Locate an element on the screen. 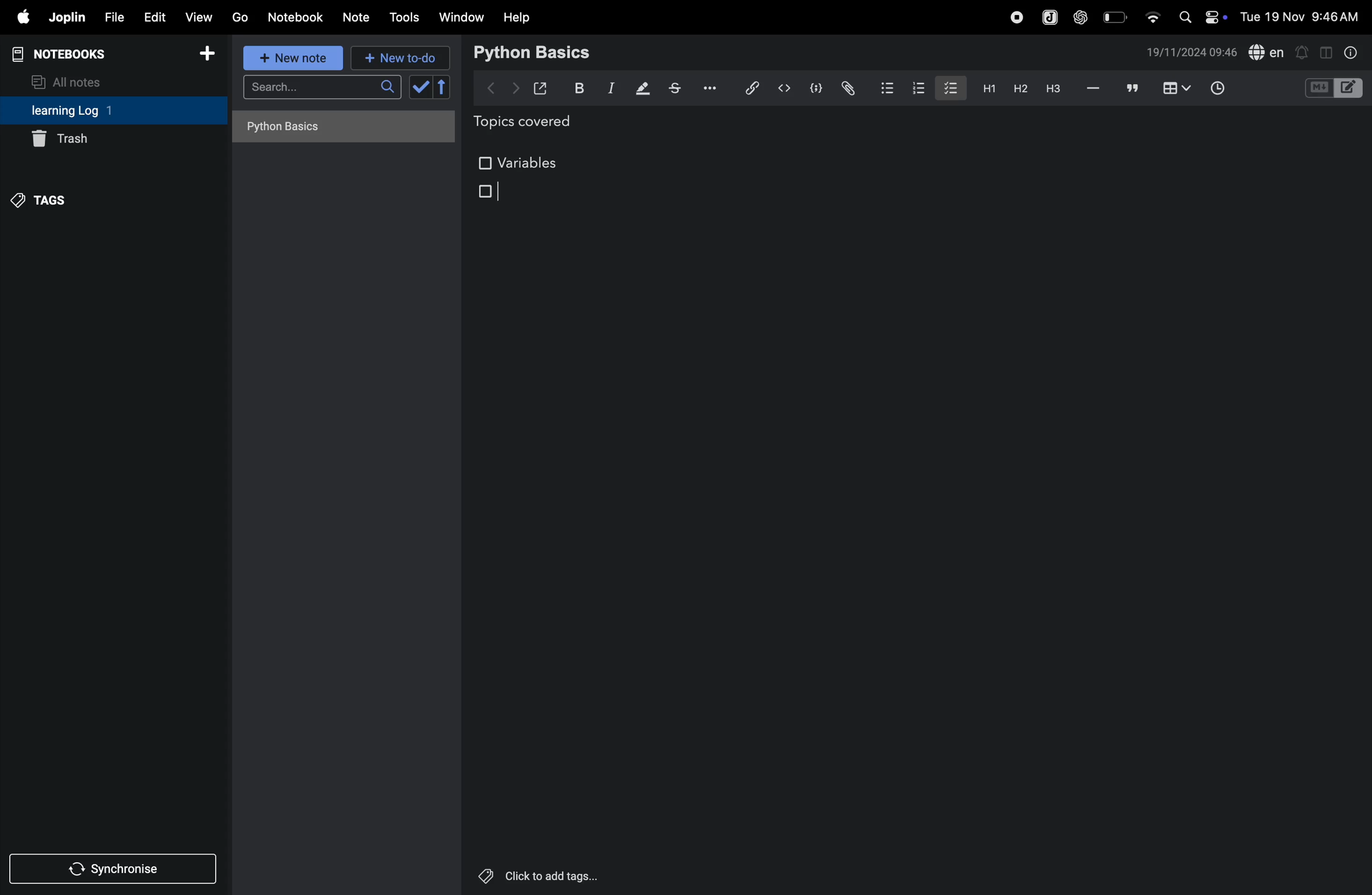 The height and width of the screenshot is (895, 1372). comment is located at coordinates (1133, 89).